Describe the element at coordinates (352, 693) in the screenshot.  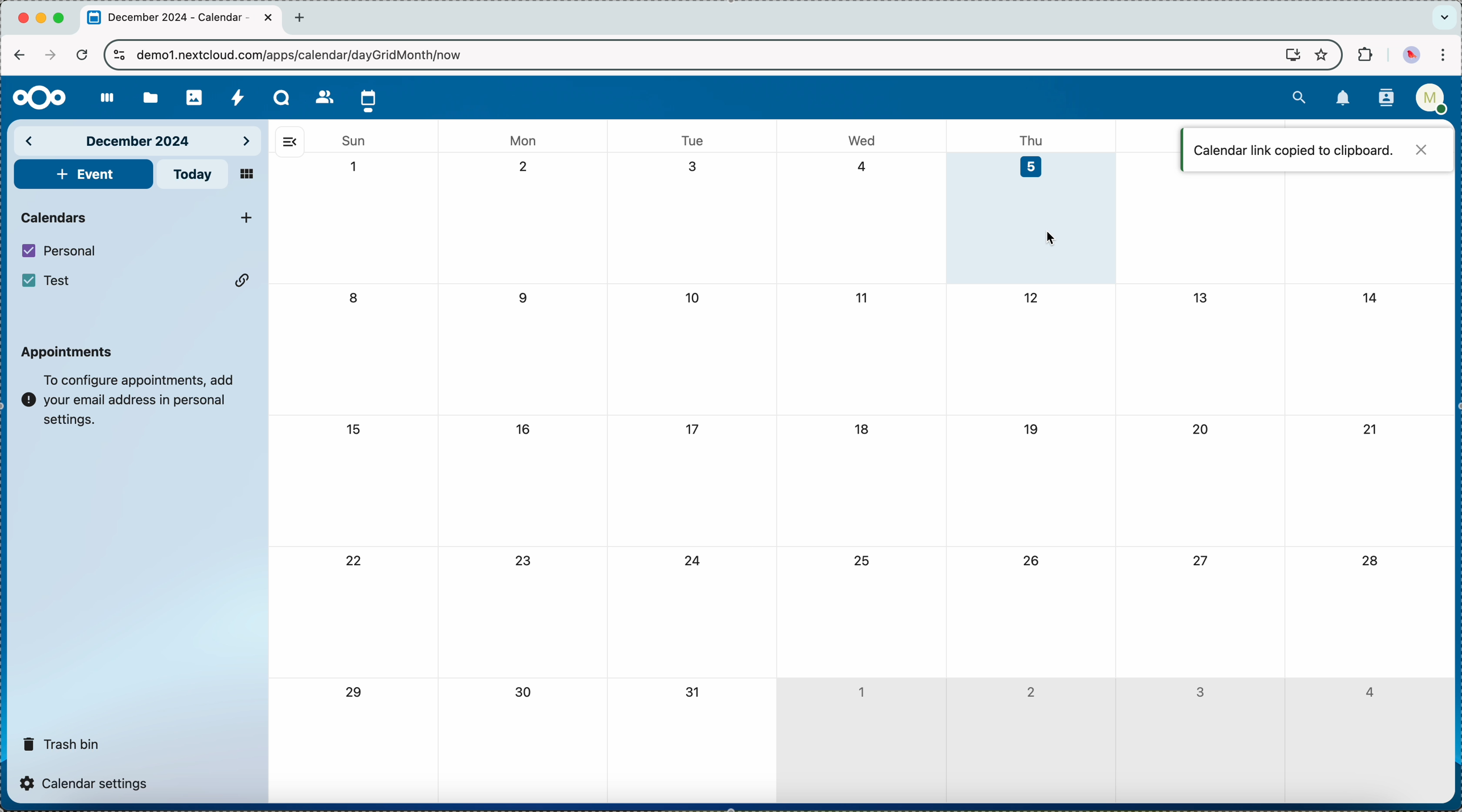
I see `29` at that location.